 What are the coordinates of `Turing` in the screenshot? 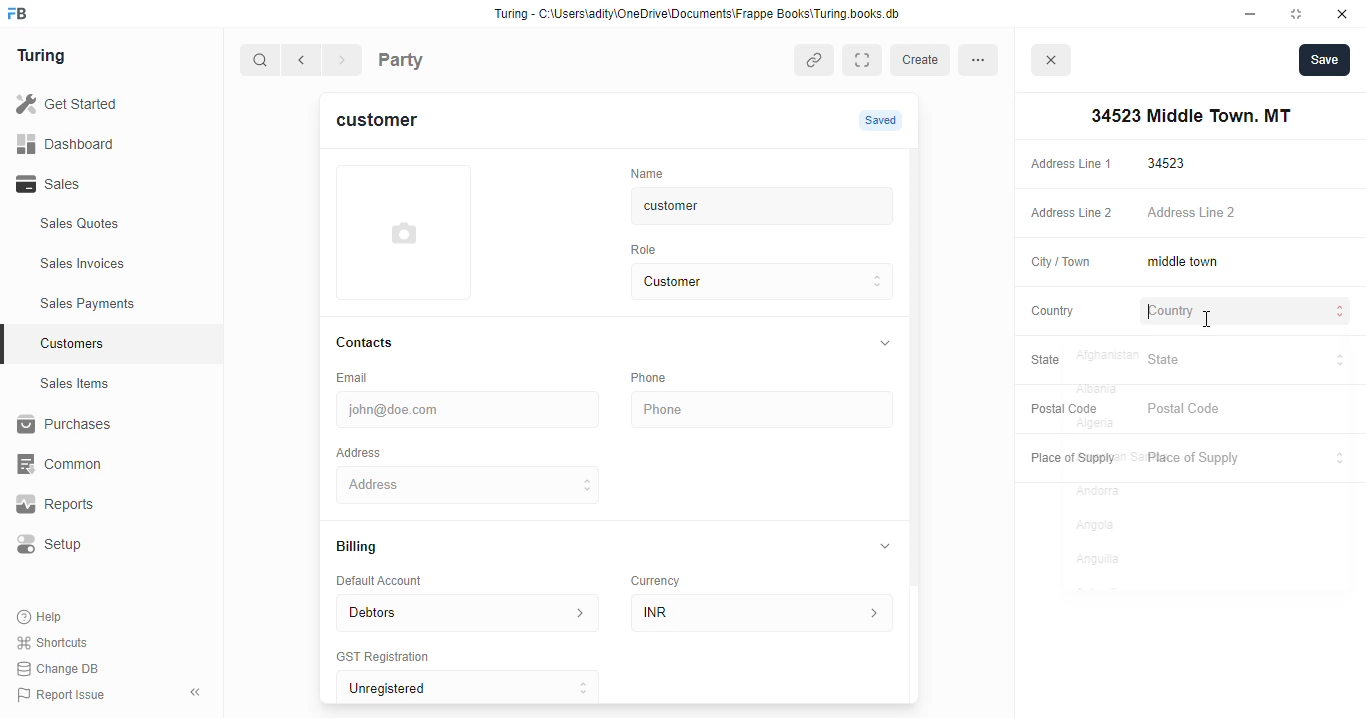 It's located at (46, 57).